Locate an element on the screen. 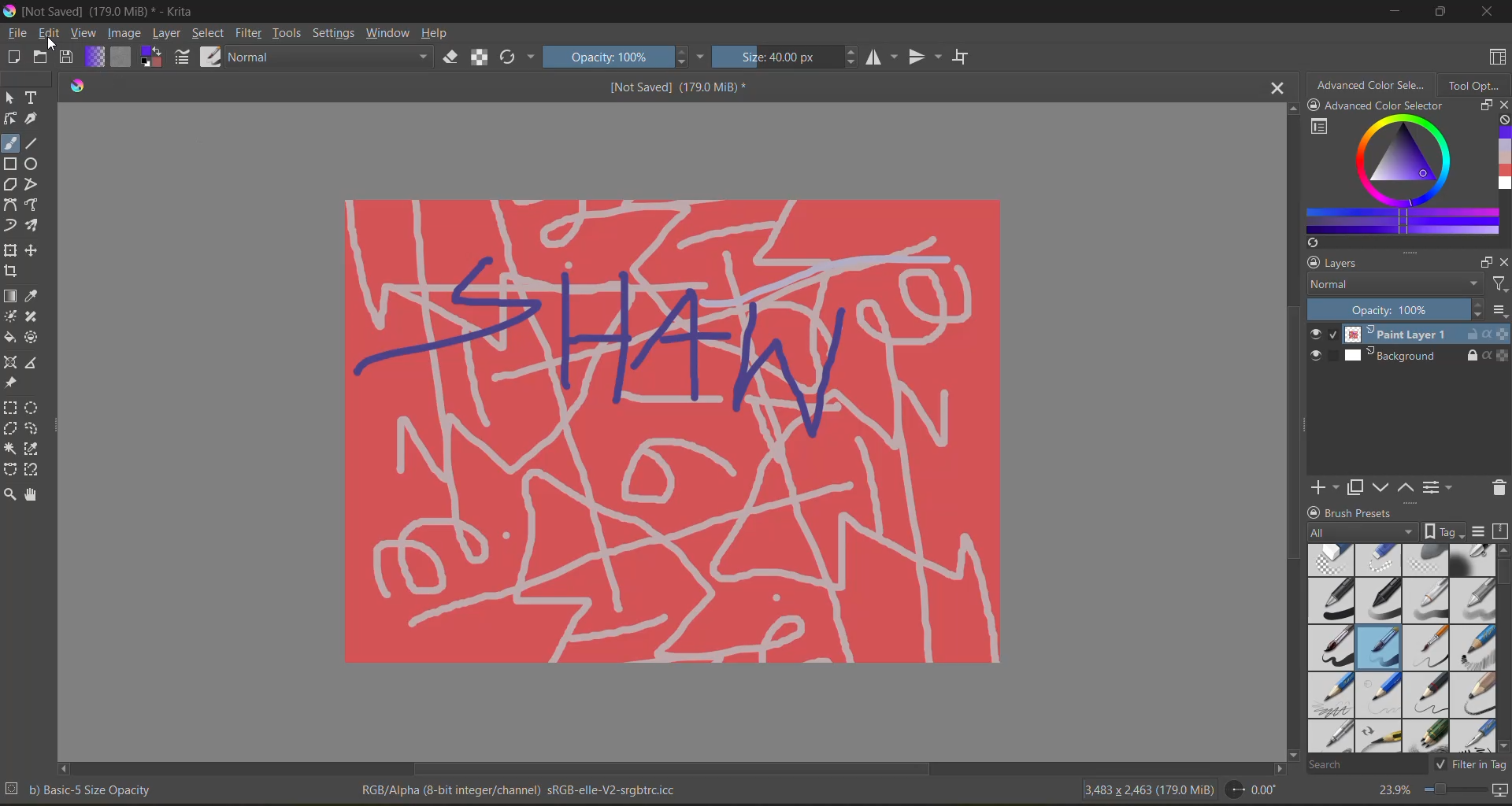 The image size is (1512, 806). zoom tool is located at coordinates (12, 494).